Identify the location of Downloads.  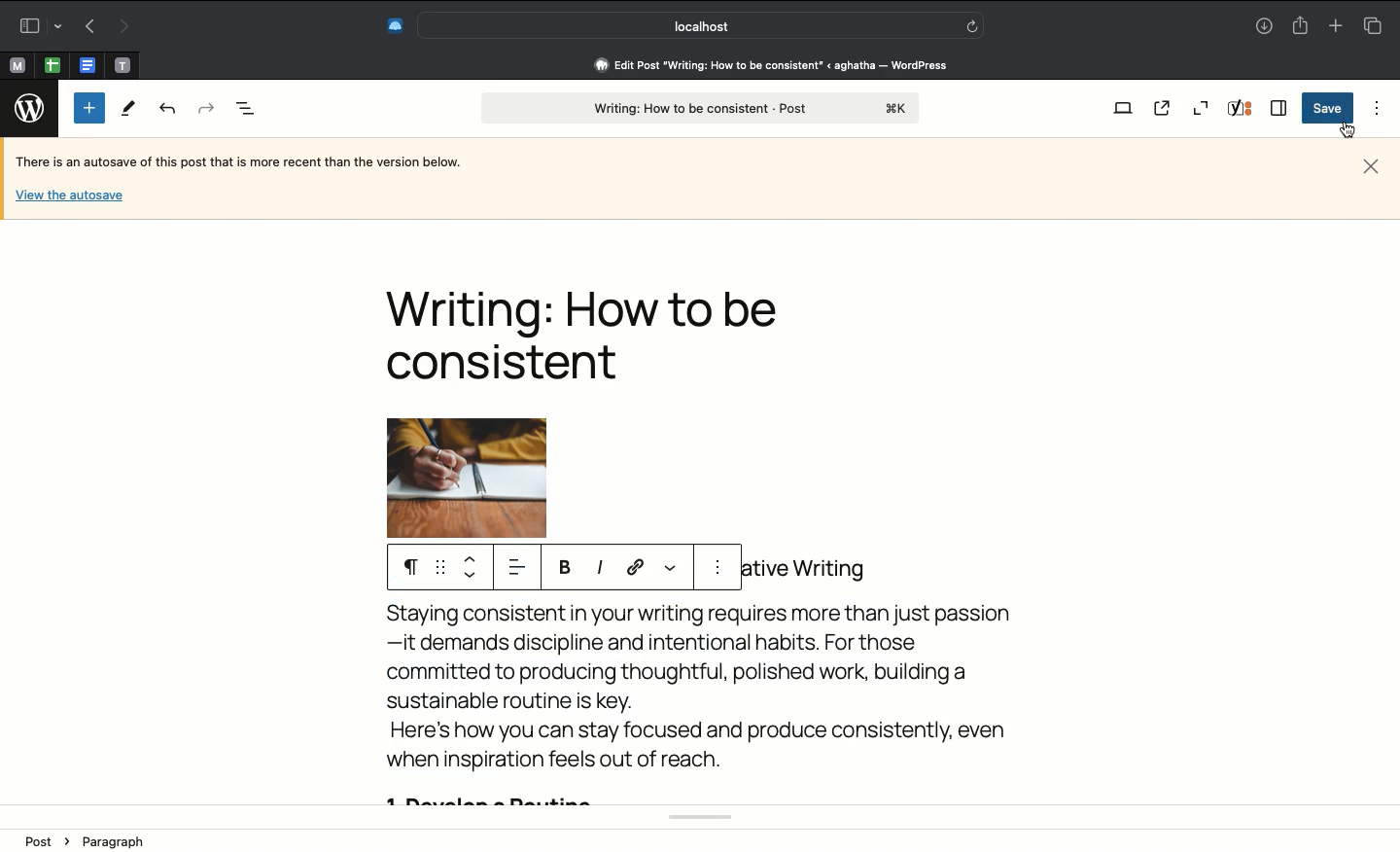
(1264, 27).